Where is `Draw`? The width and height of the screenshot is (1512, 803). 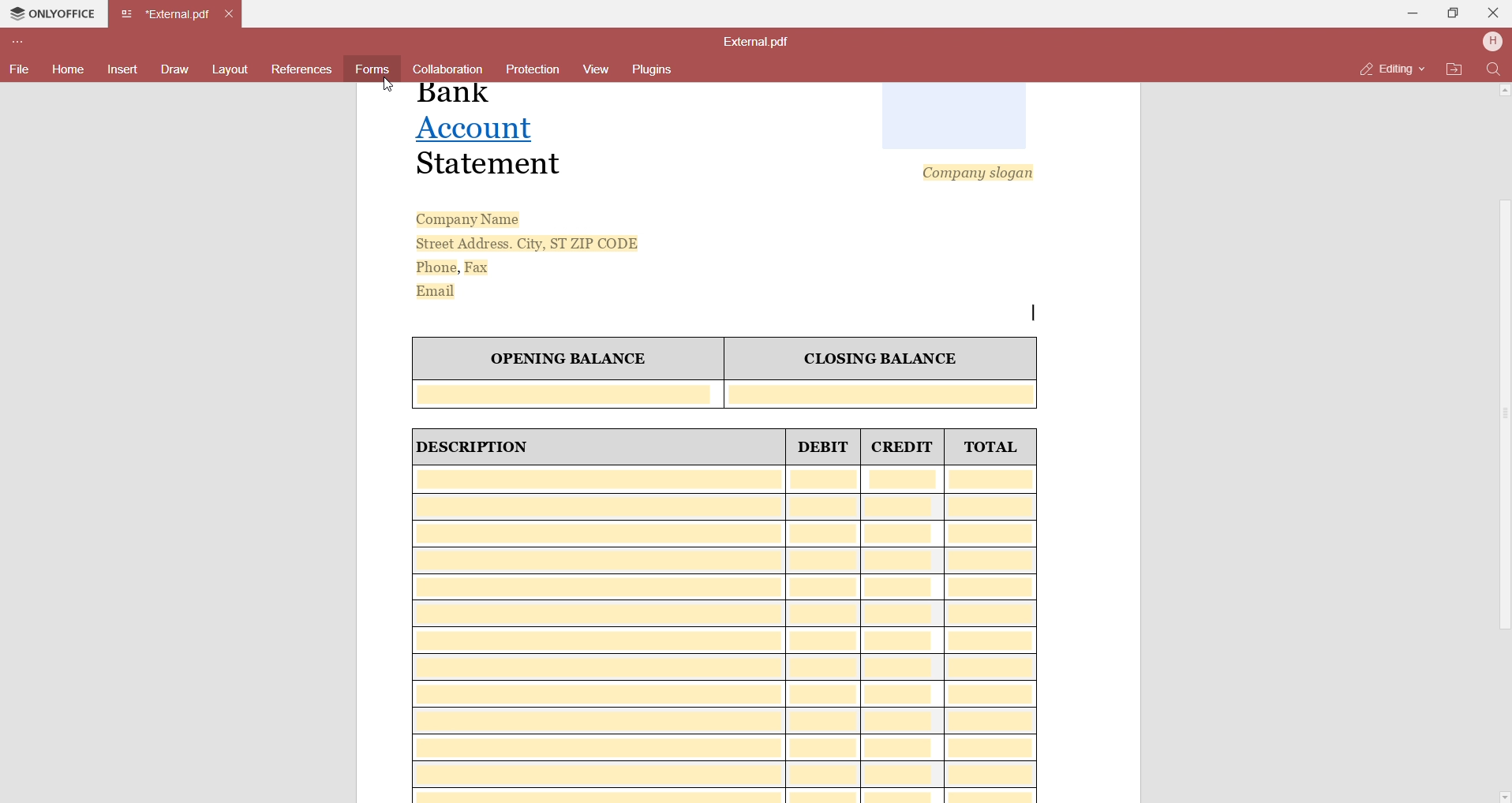 Draw is located at coordinates (174, 67).